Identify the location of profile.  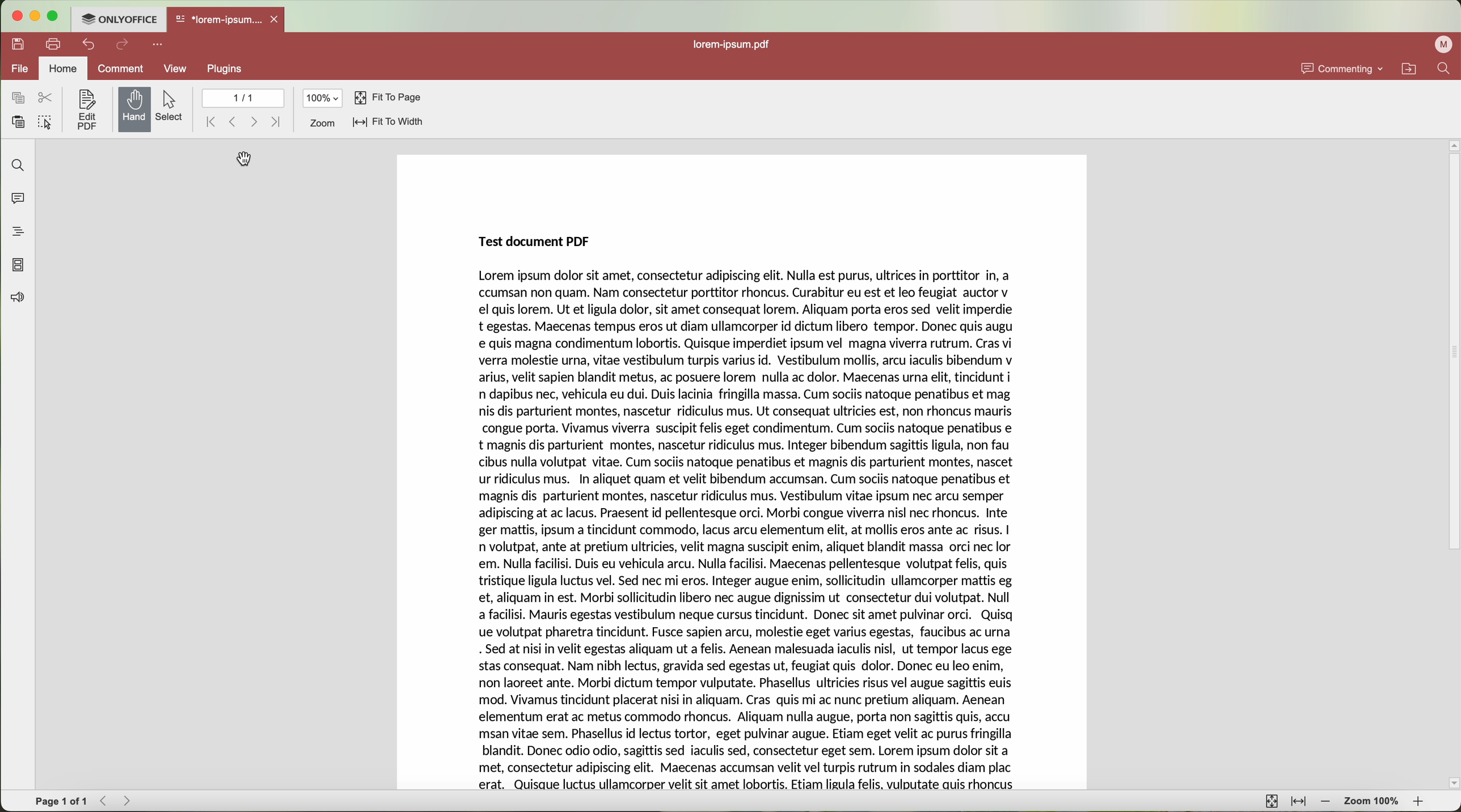
(1443, 45).